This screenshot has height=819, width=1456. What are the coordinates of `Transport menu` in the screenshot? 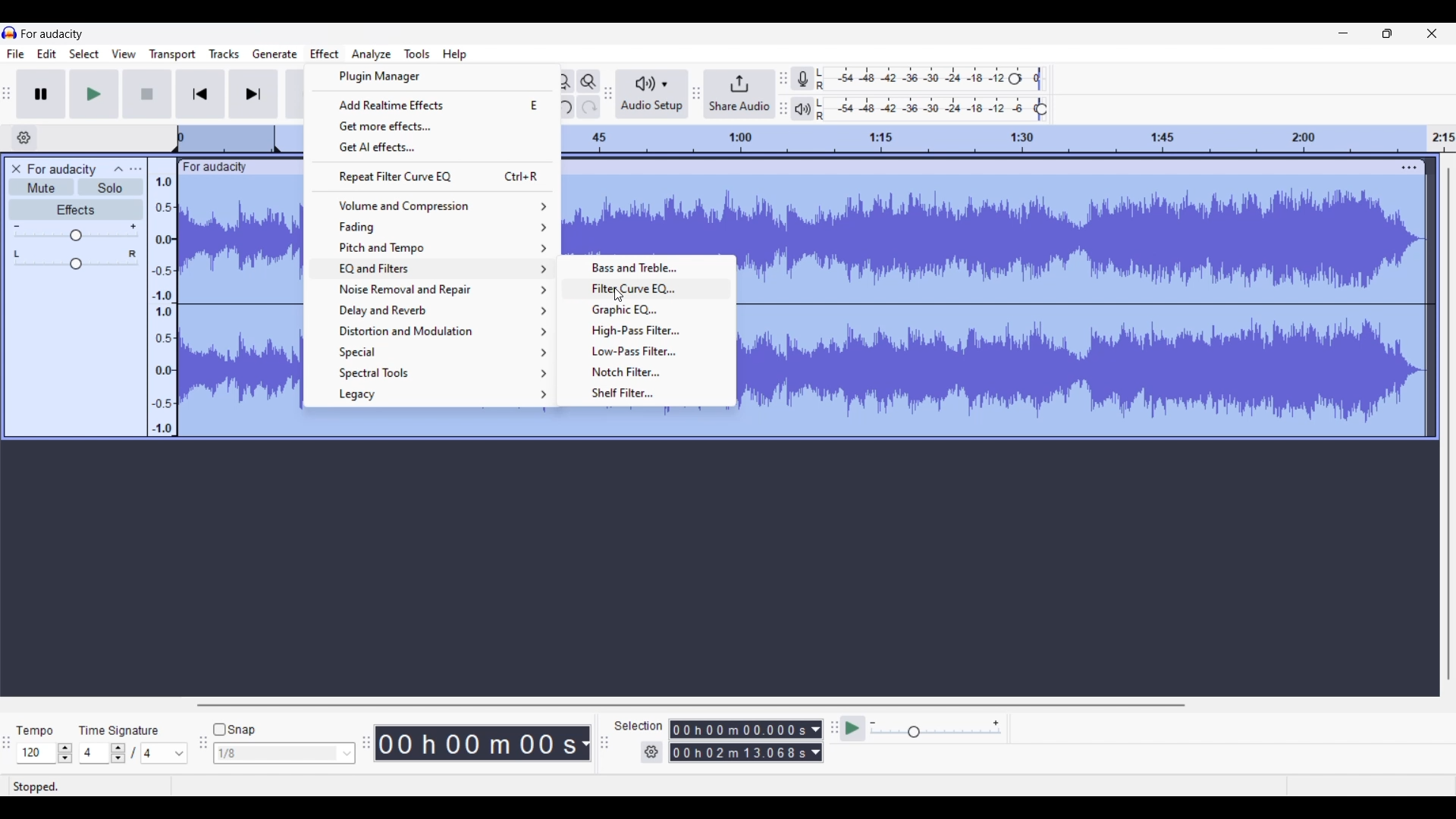 It's located at (172, 55).